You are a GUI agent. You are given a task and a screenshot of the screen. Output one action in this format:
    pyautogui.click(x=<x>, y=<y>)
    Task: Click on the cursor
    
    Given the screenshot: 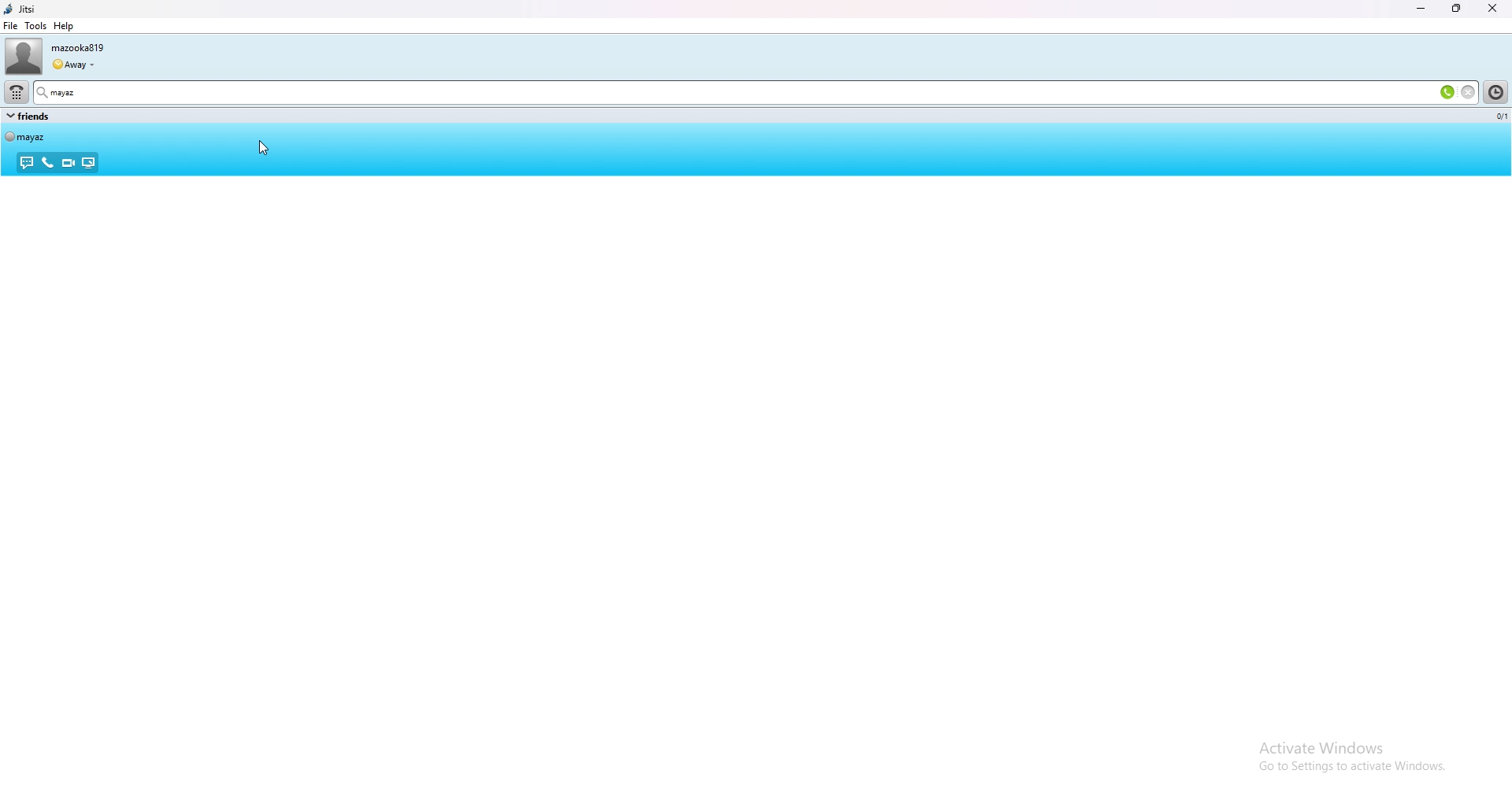 What is the action you would take?
    pyautogui.click(x=261, y=147)
    